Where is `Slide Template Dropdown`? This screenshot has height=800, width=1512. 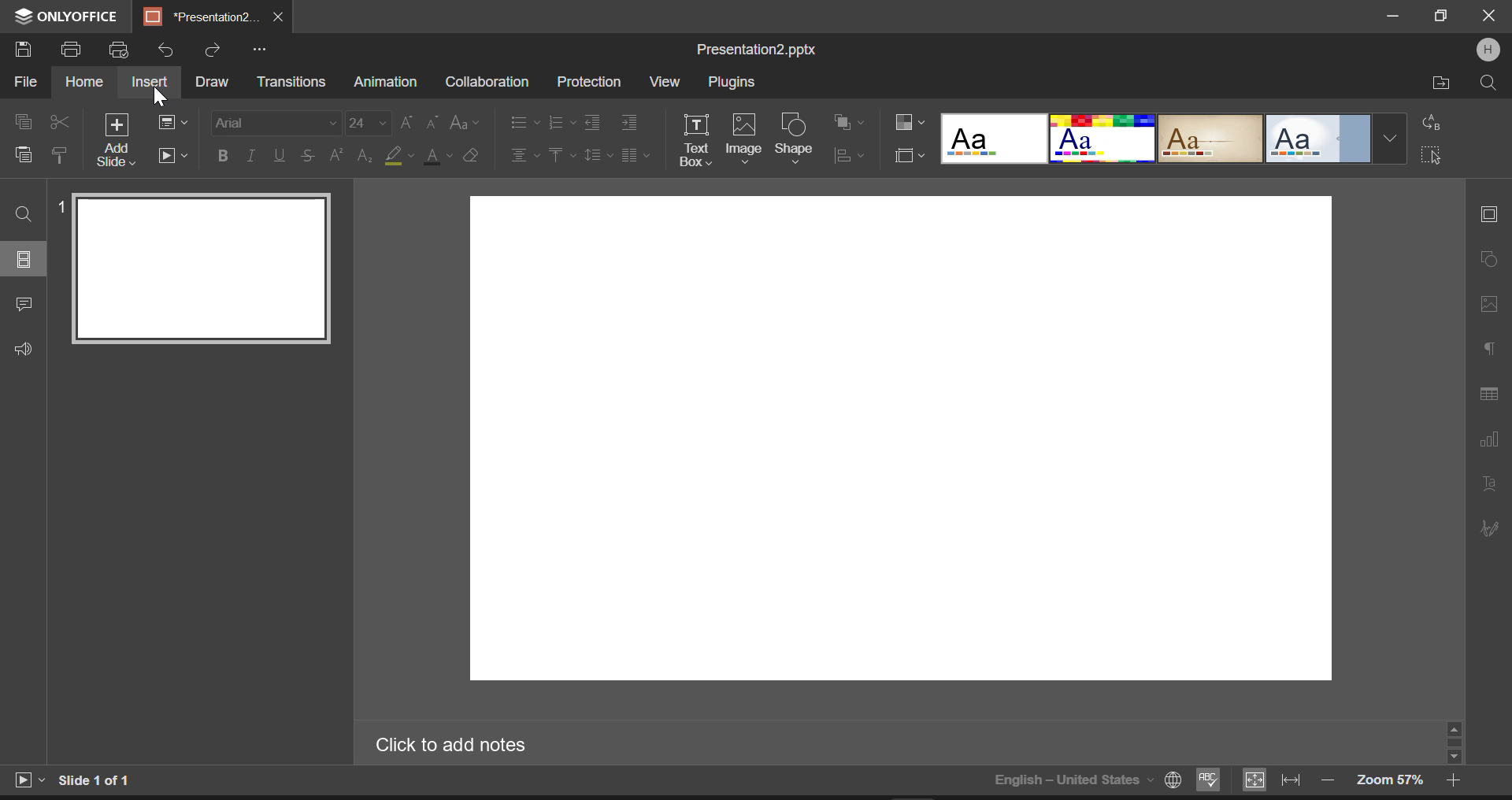
Slide Template Dropdown is located at coordinates (1390, 140).